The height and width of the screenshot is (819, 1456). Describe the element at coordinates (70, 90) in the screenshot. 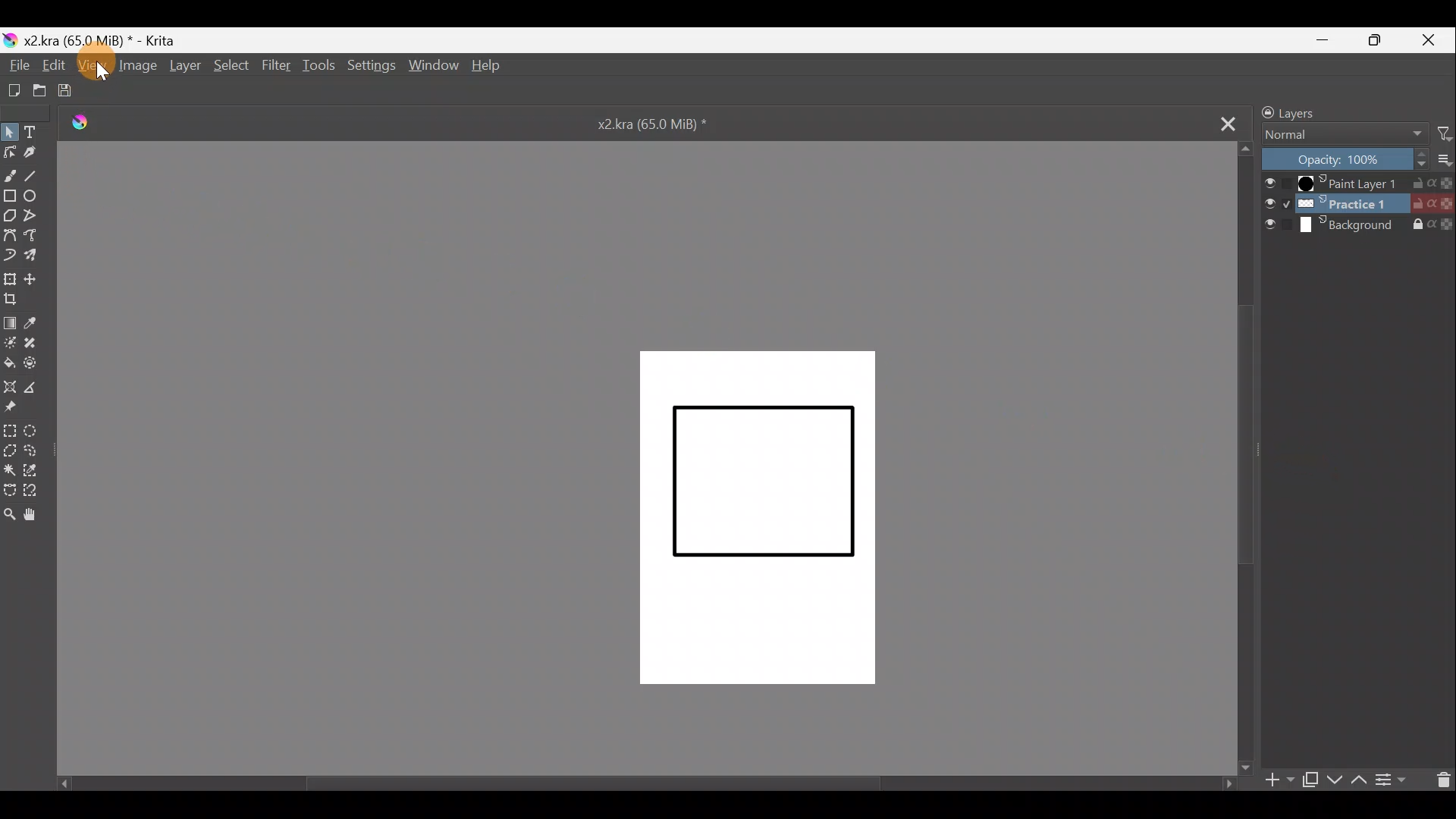

I see `Save` at that location.